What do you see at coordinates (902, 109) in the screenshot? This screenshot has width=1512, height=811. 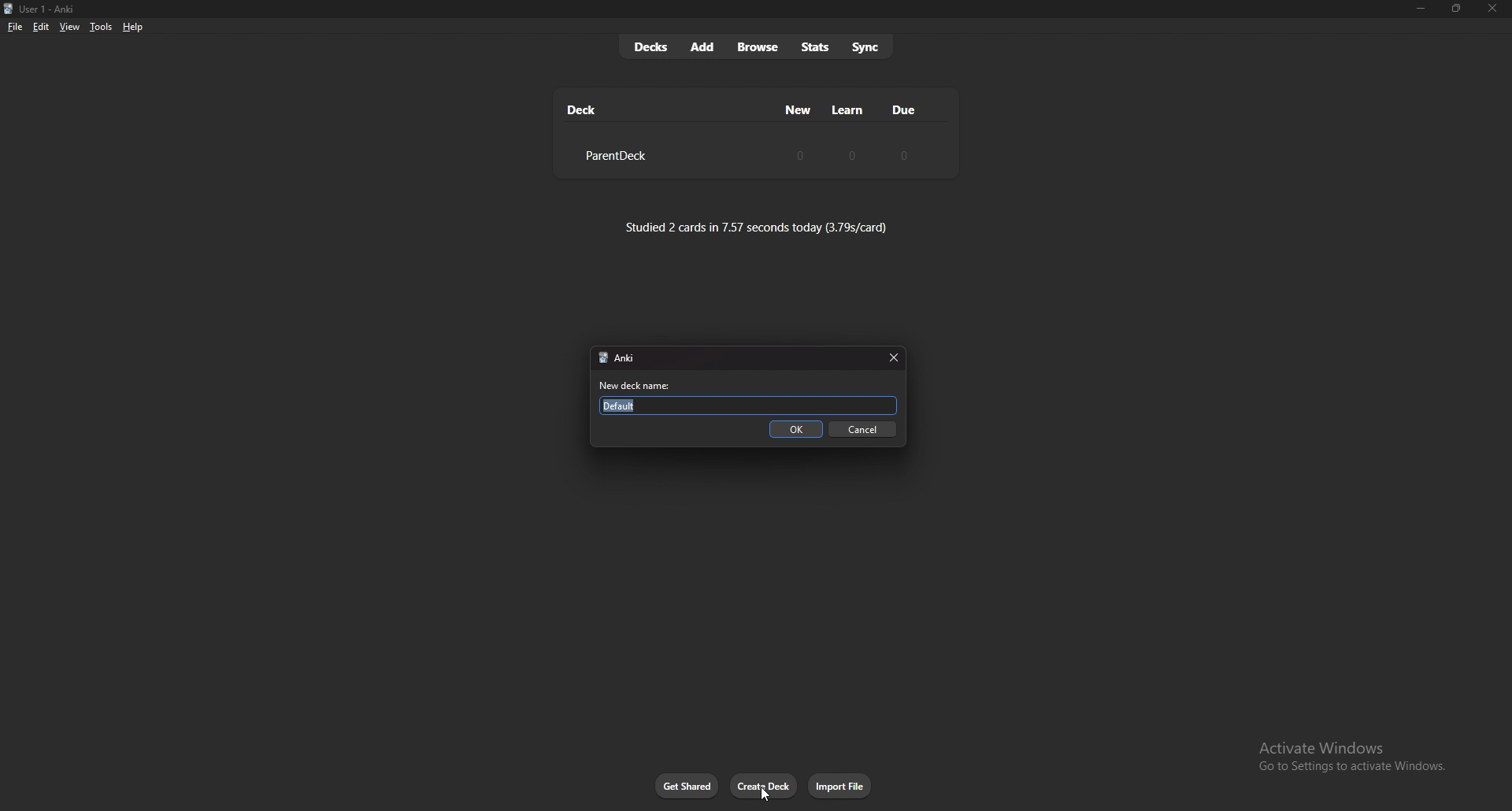 I see `due` at bounding box center [902, 109].